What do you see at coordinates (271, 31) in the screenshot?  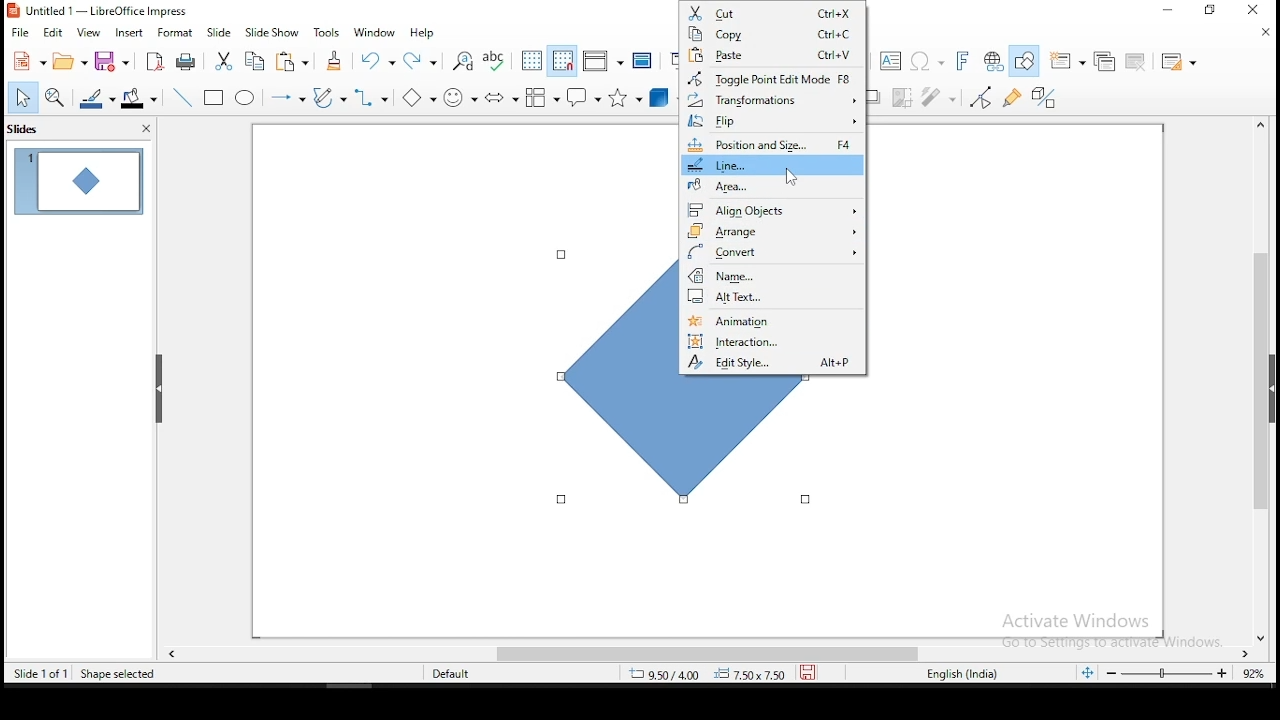 I see `slide show` at bounding box center [271, 31].